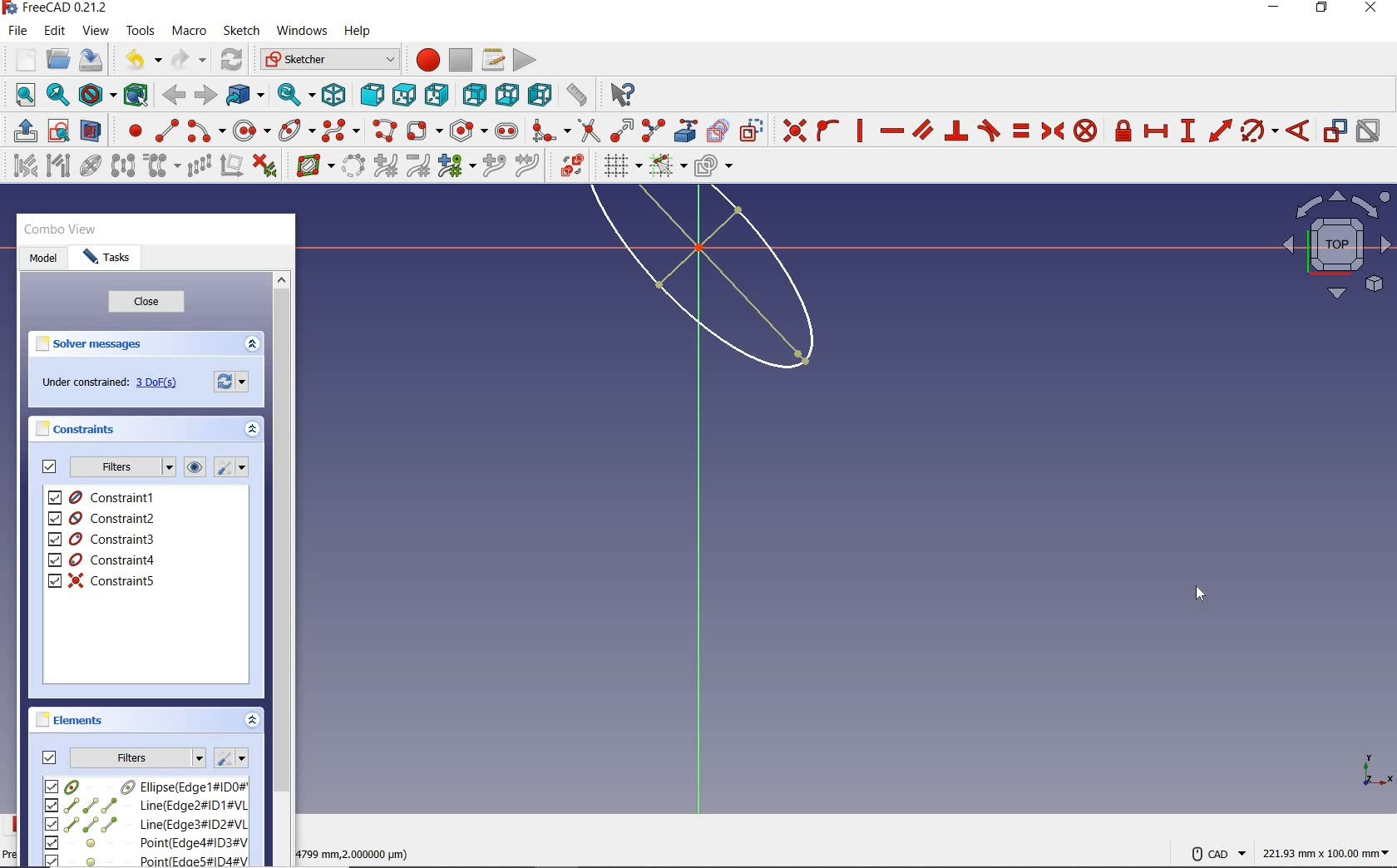  I want to click on edit, so click(54, 32).